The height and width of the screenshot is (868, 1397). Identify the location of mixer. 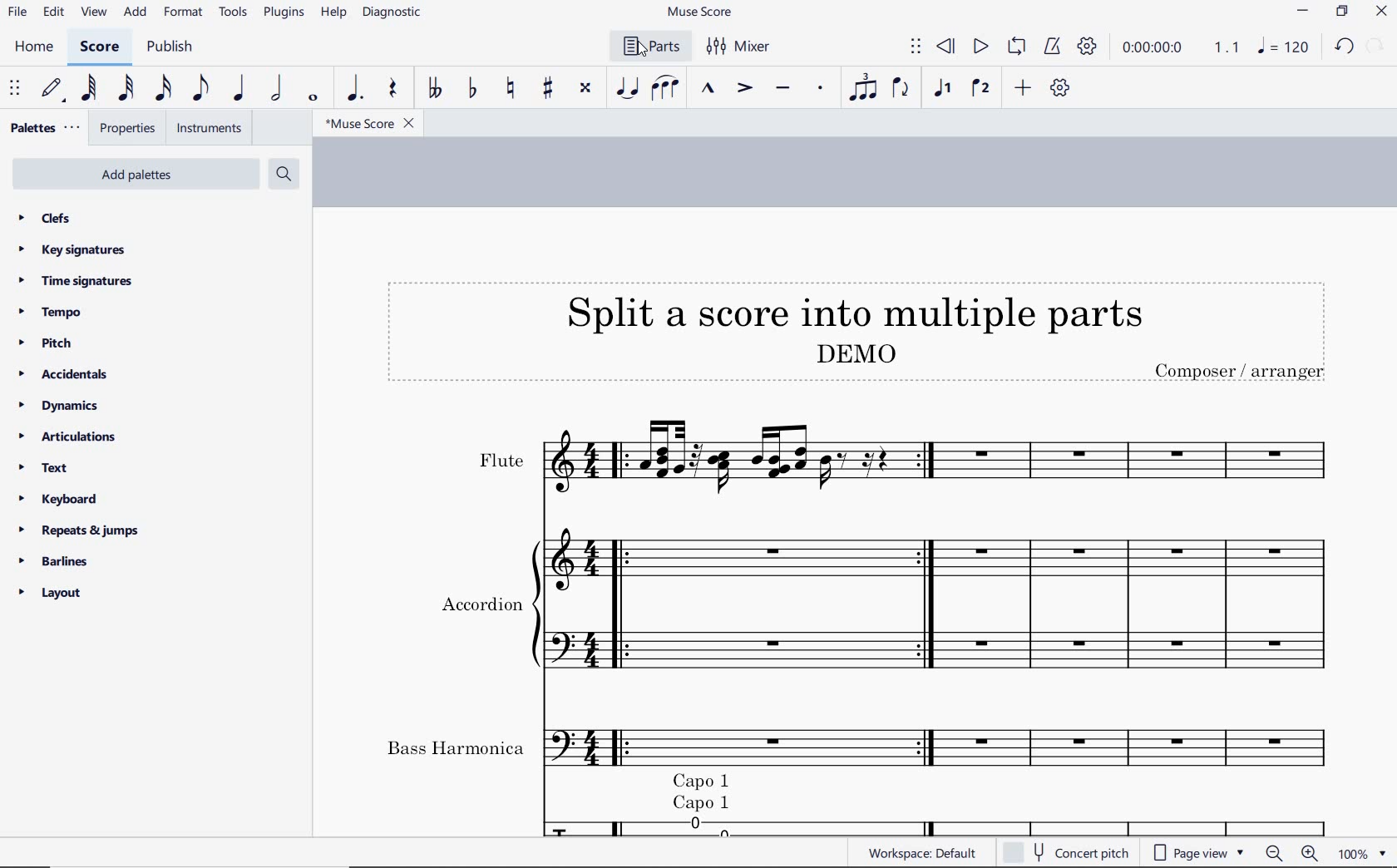
(742, 47).